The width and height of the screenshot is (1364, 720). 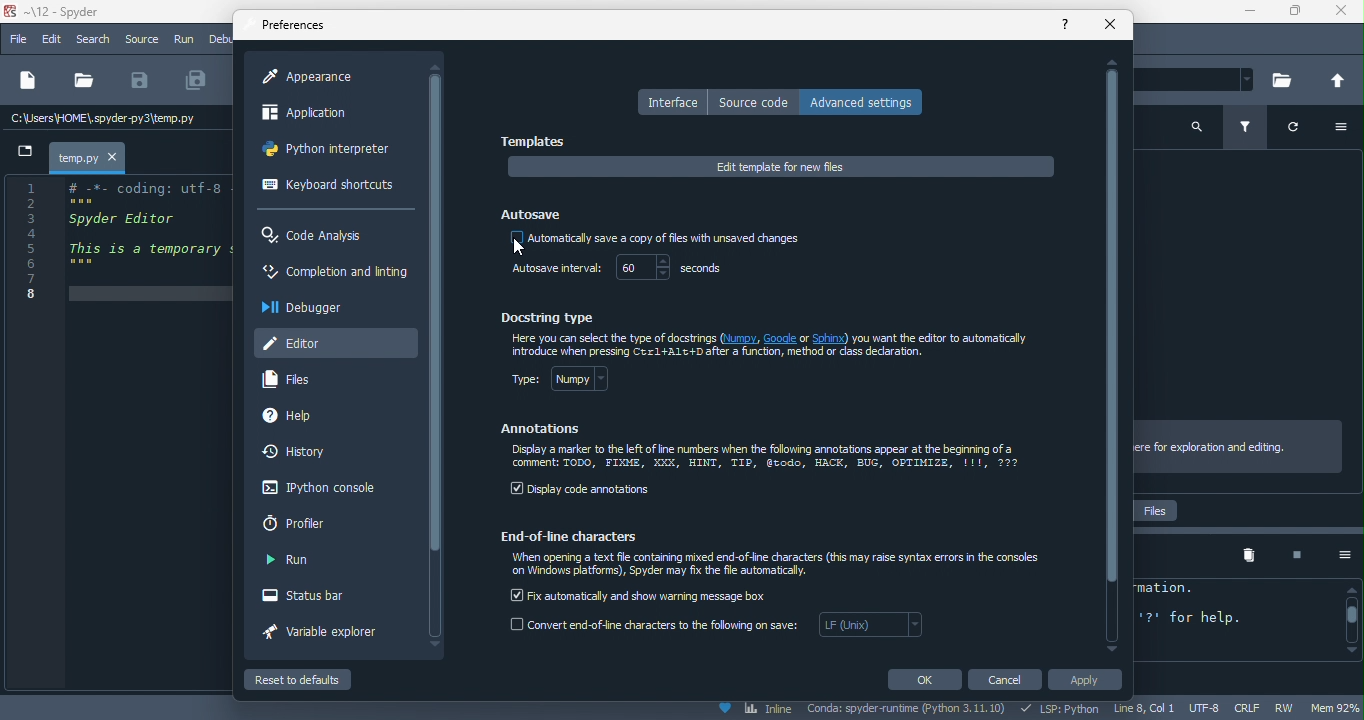 What do you see at coordinates (332, 153) in the screenshot?
I see `python interpreter` at bounding box center [332, 153].